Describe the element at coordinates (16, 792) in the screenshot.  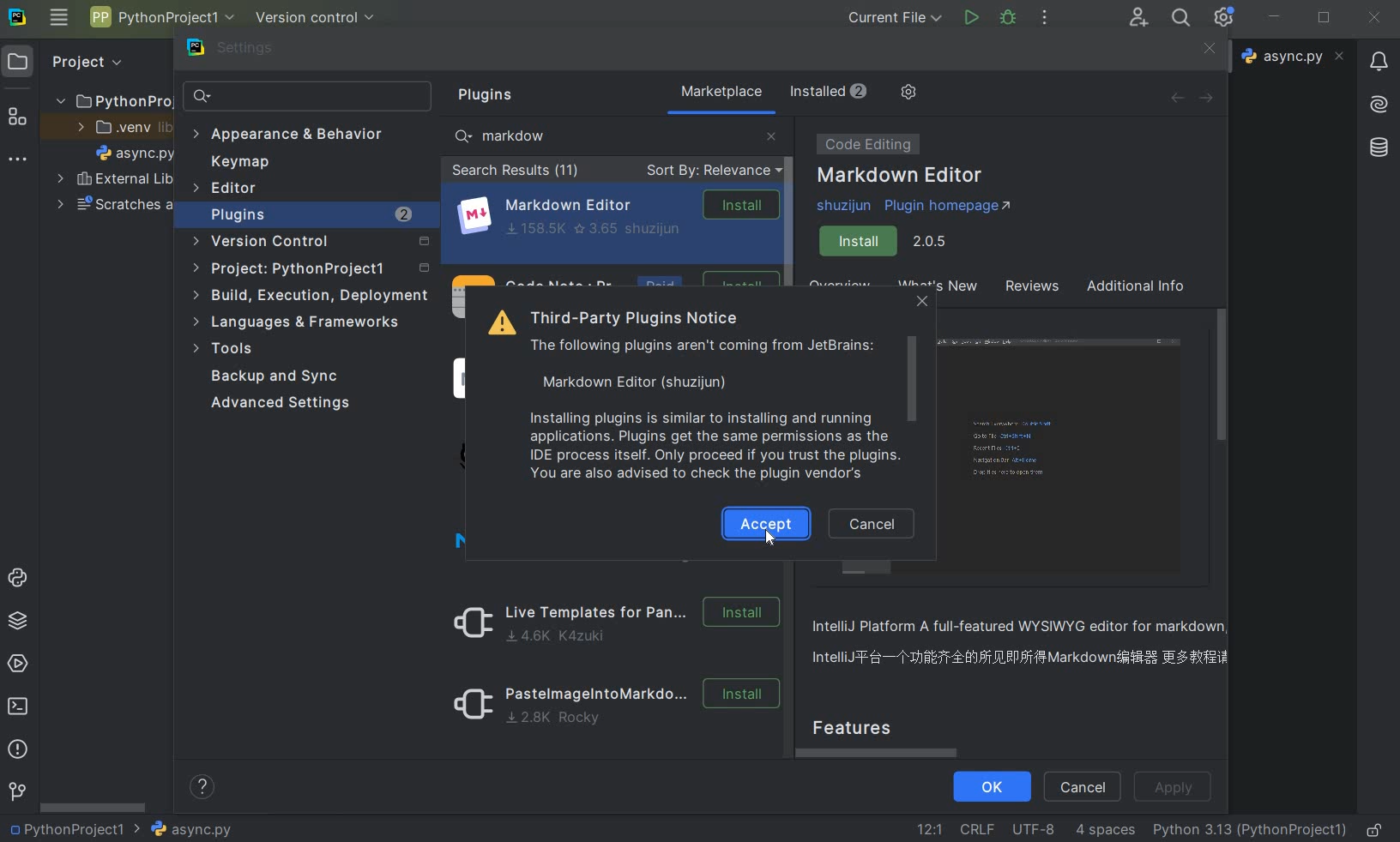
I see `git` at that location.